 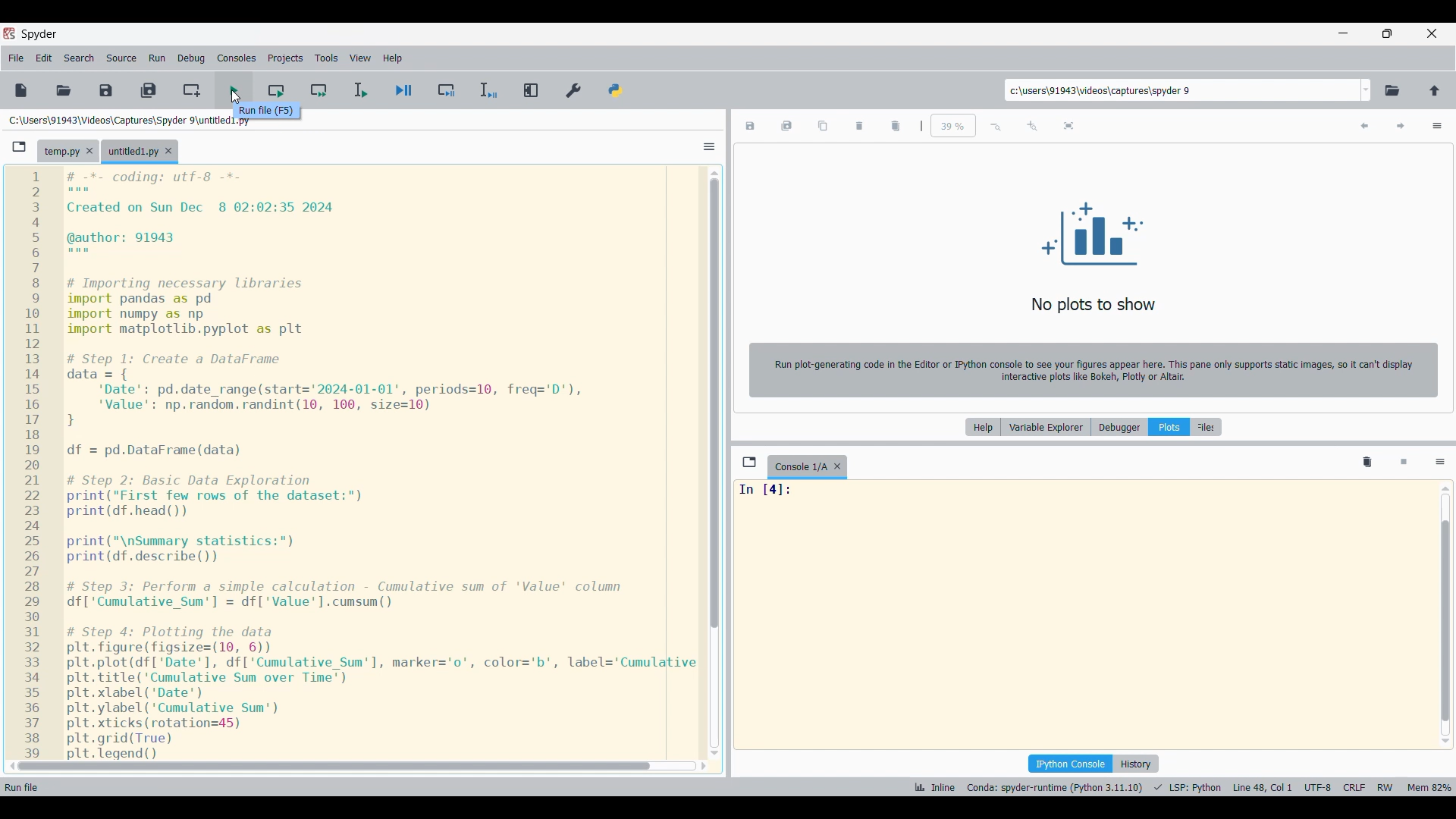 What do you see at coordinates (39, 35) in the screenshot?
I see `Software name` at bounding box center [39, 35].